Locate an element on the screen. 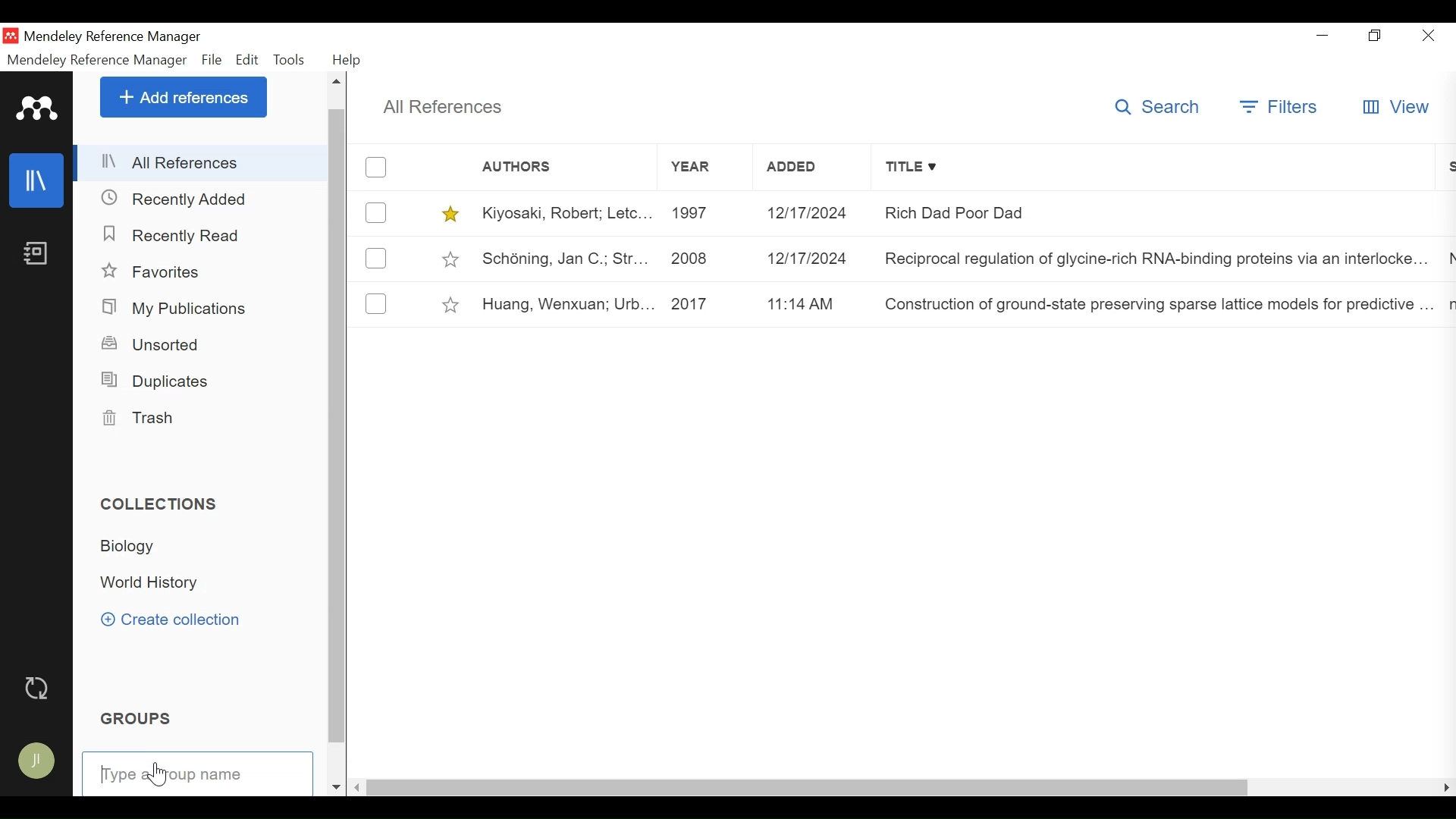  Construction of ground-state preserving sparse lattice models for predictive.. is located at coordinates (1157, 303).